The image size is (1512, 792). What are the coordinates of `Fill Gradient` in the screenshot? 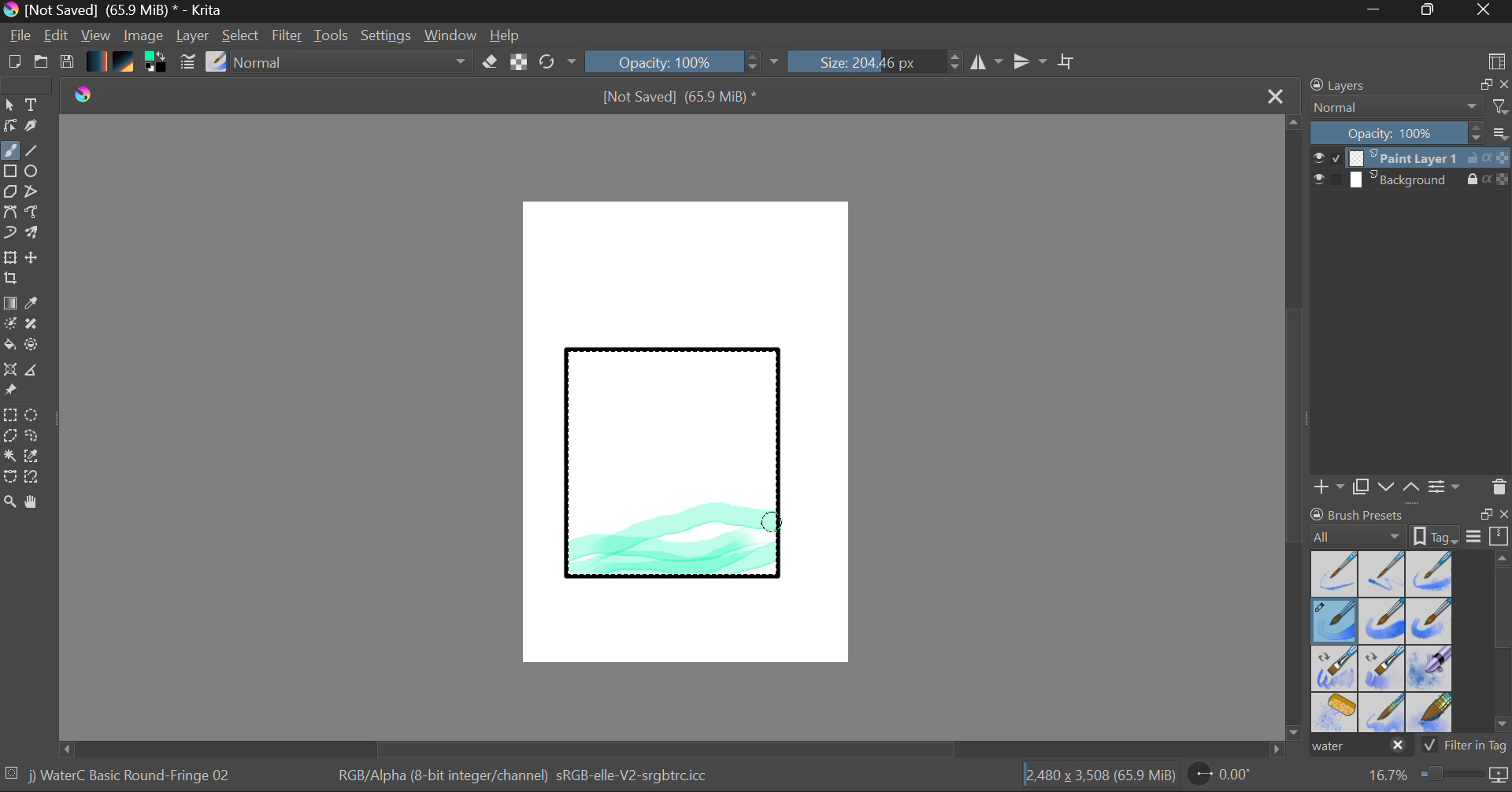 It's located at (10, 302).